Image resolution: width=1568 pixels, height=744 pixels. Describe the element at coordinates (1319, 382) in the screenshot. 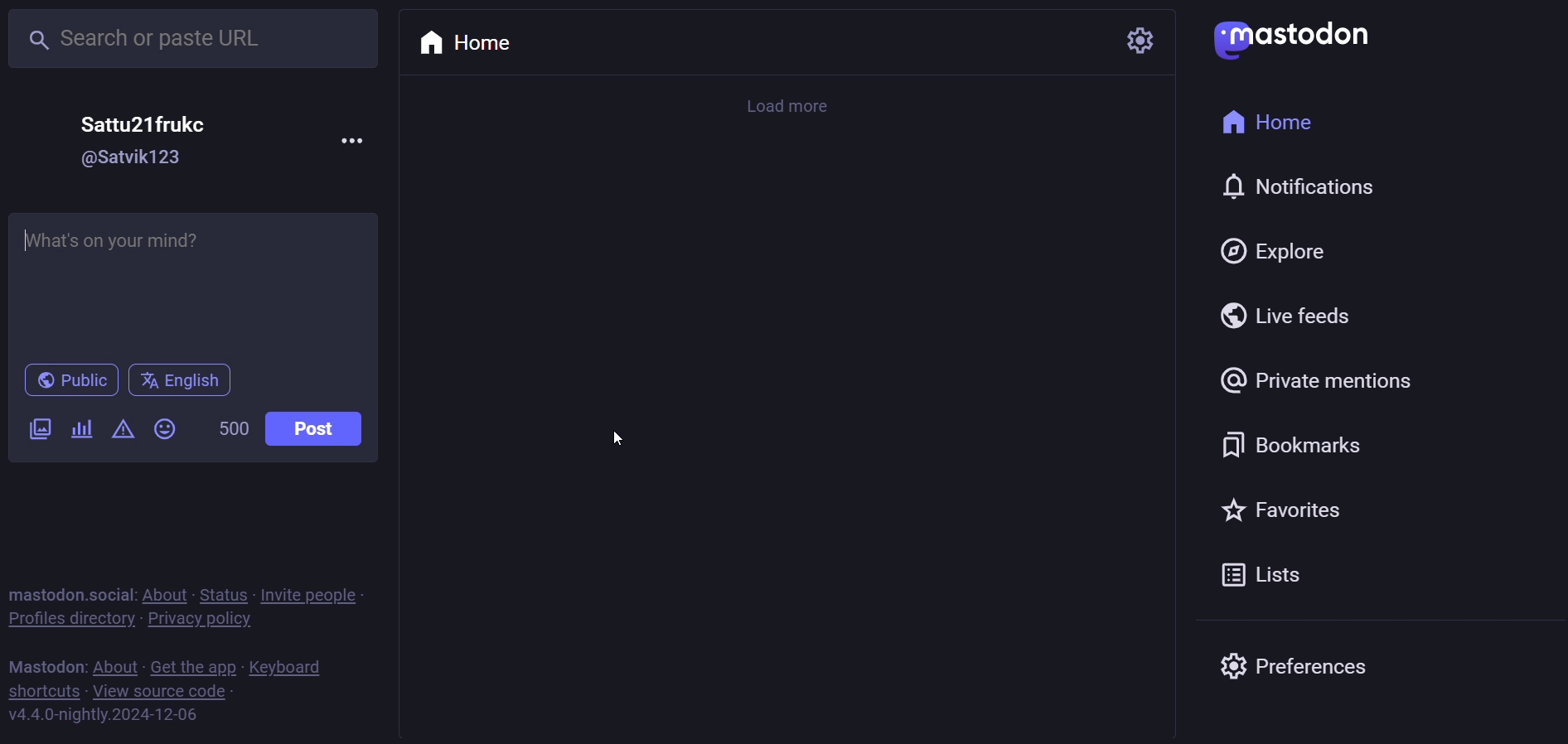

I see `private mention` at that location.